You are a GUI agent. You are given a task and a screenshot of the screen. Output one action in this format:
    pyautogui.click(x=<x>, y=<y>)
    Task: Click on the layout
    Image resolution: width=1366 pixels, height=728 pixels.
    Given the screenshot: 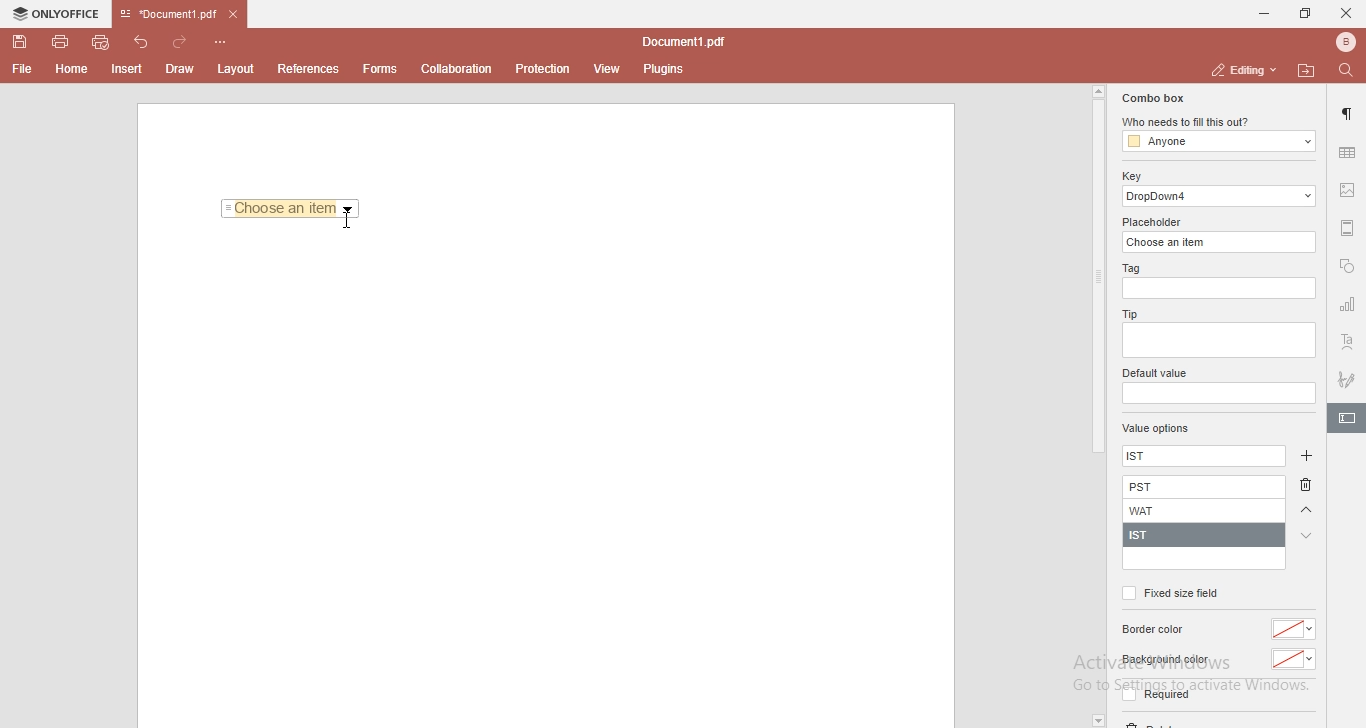 What is the action you would take?
    pyautogui.click(x=239, y=69)
    